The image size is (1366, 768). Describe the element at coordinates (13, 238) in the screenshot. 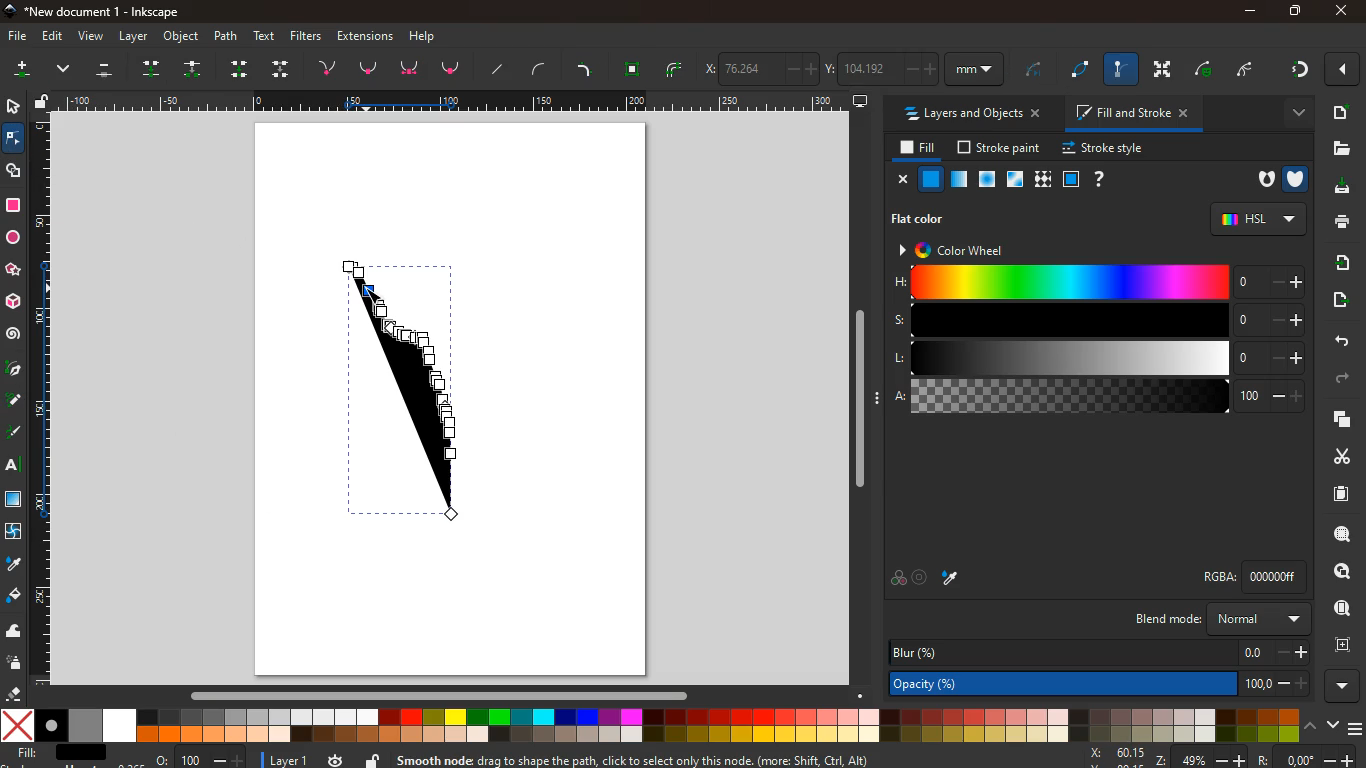

I see `circle` at that location.